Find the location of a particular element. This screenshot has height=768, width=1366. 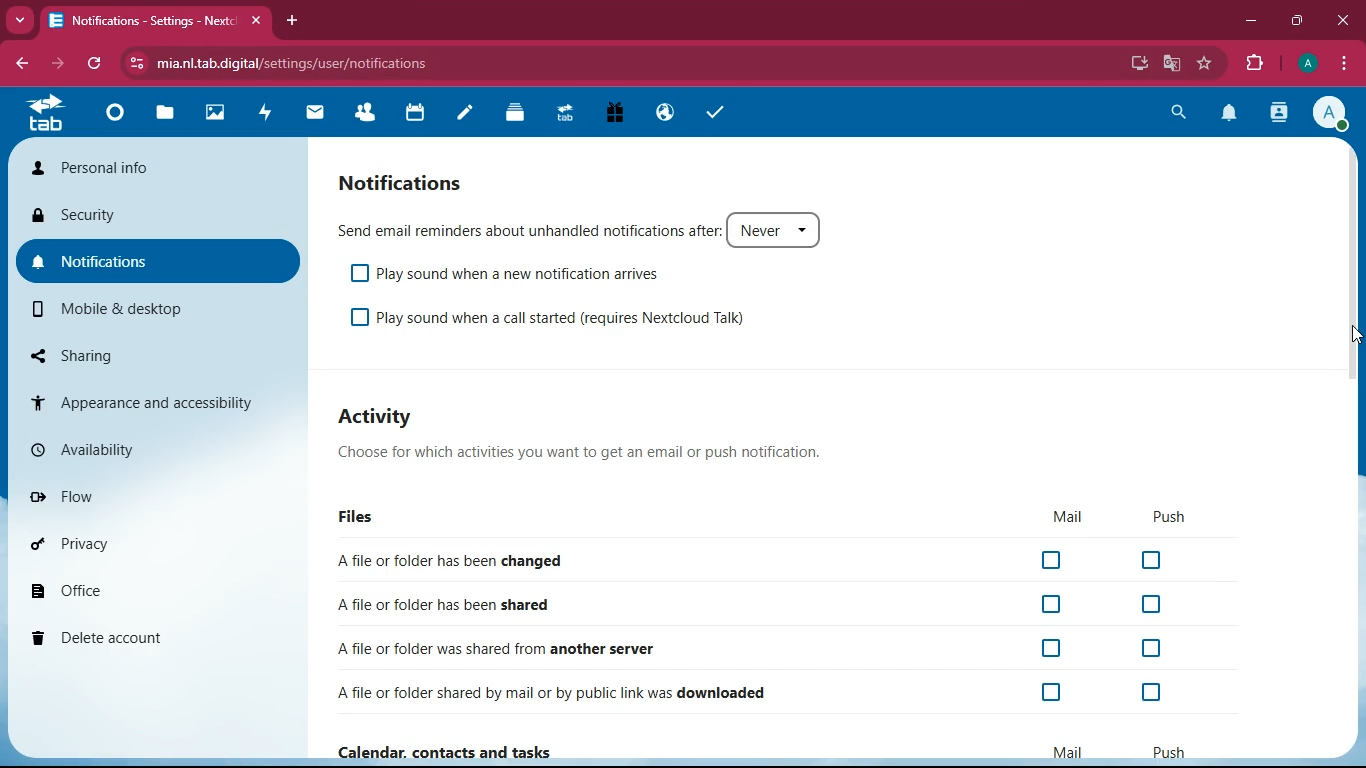

personal info is located at coordinates (158, 167).